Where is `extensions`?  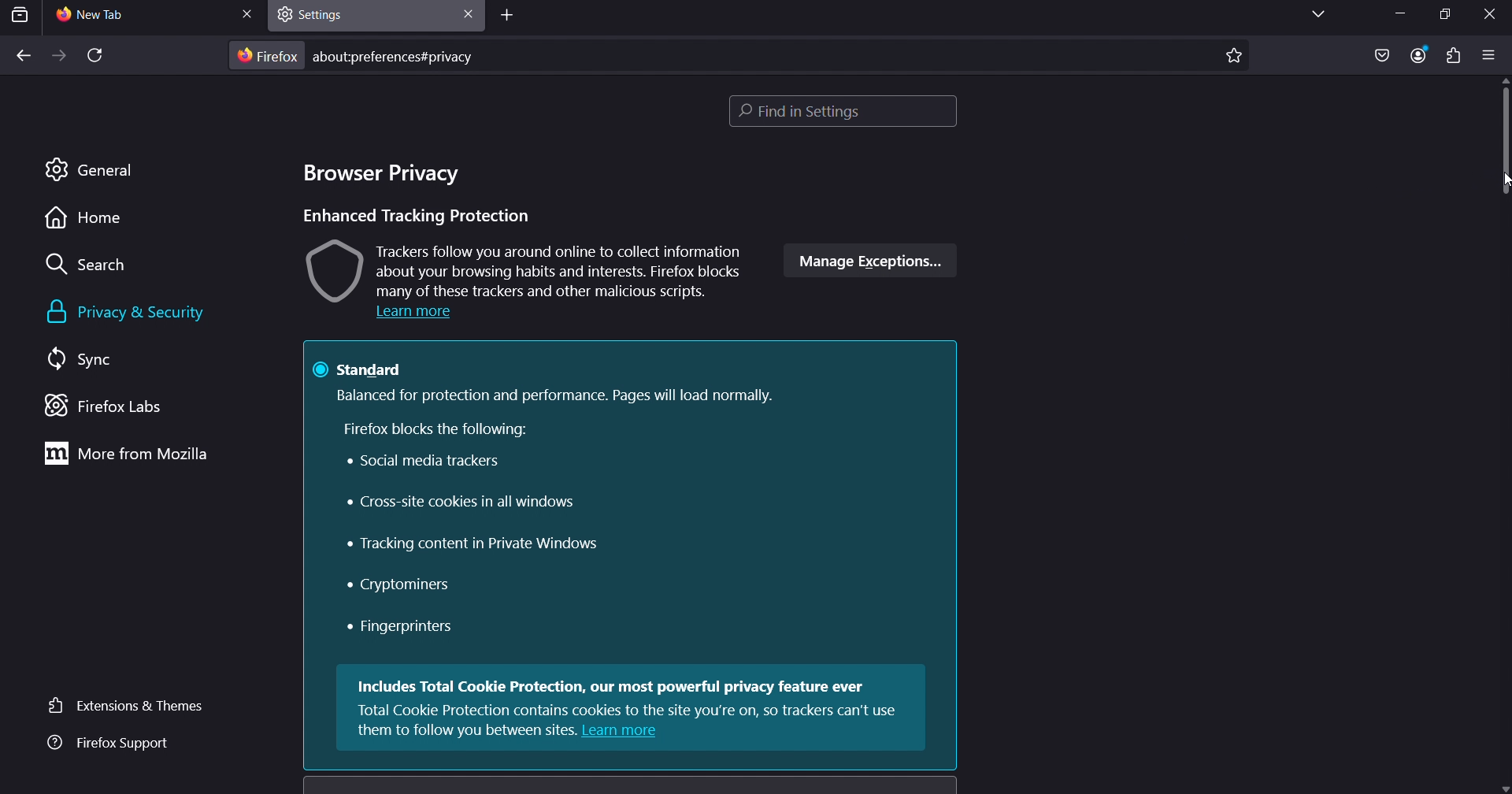
extensions is located at coordinates (1451, 56).